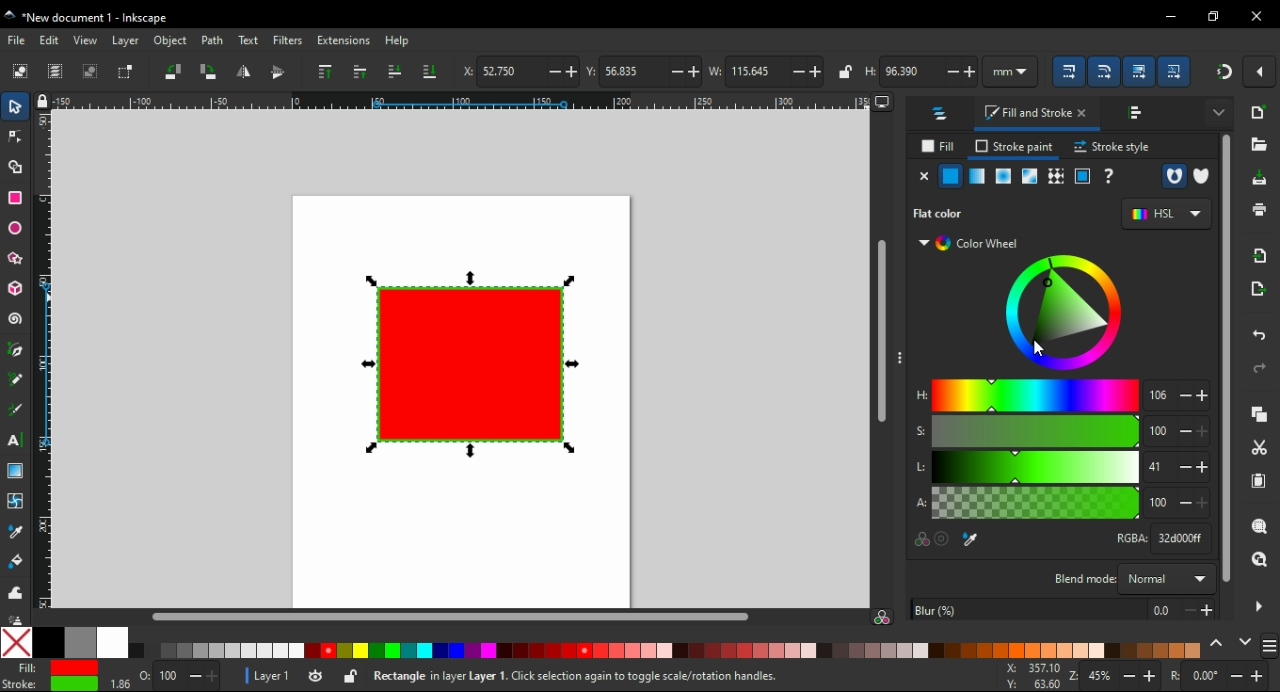  Describe the element at coordinates (1015, 147) in the screenshot. I see `stroke paint` at that location.